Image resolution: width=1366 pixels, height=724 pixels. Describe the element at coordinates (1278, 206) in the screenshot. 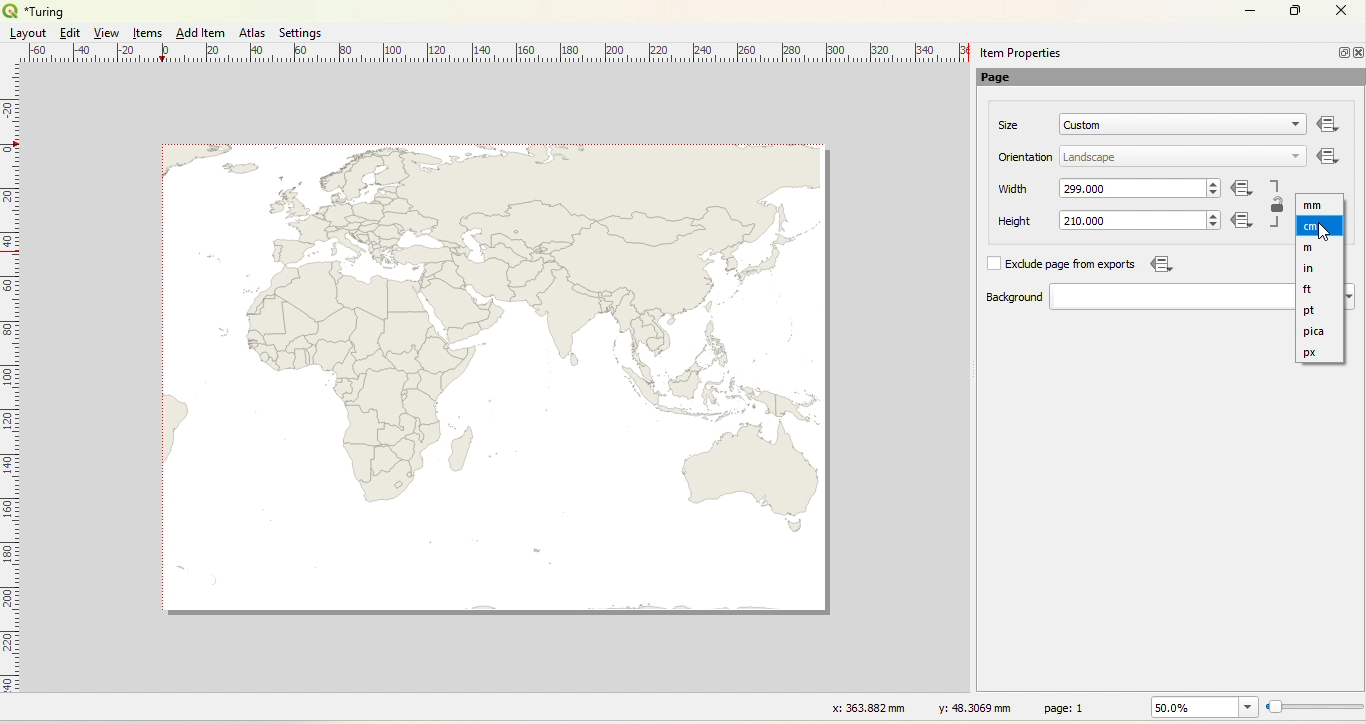

I see `Lock/Unlock` at that location.